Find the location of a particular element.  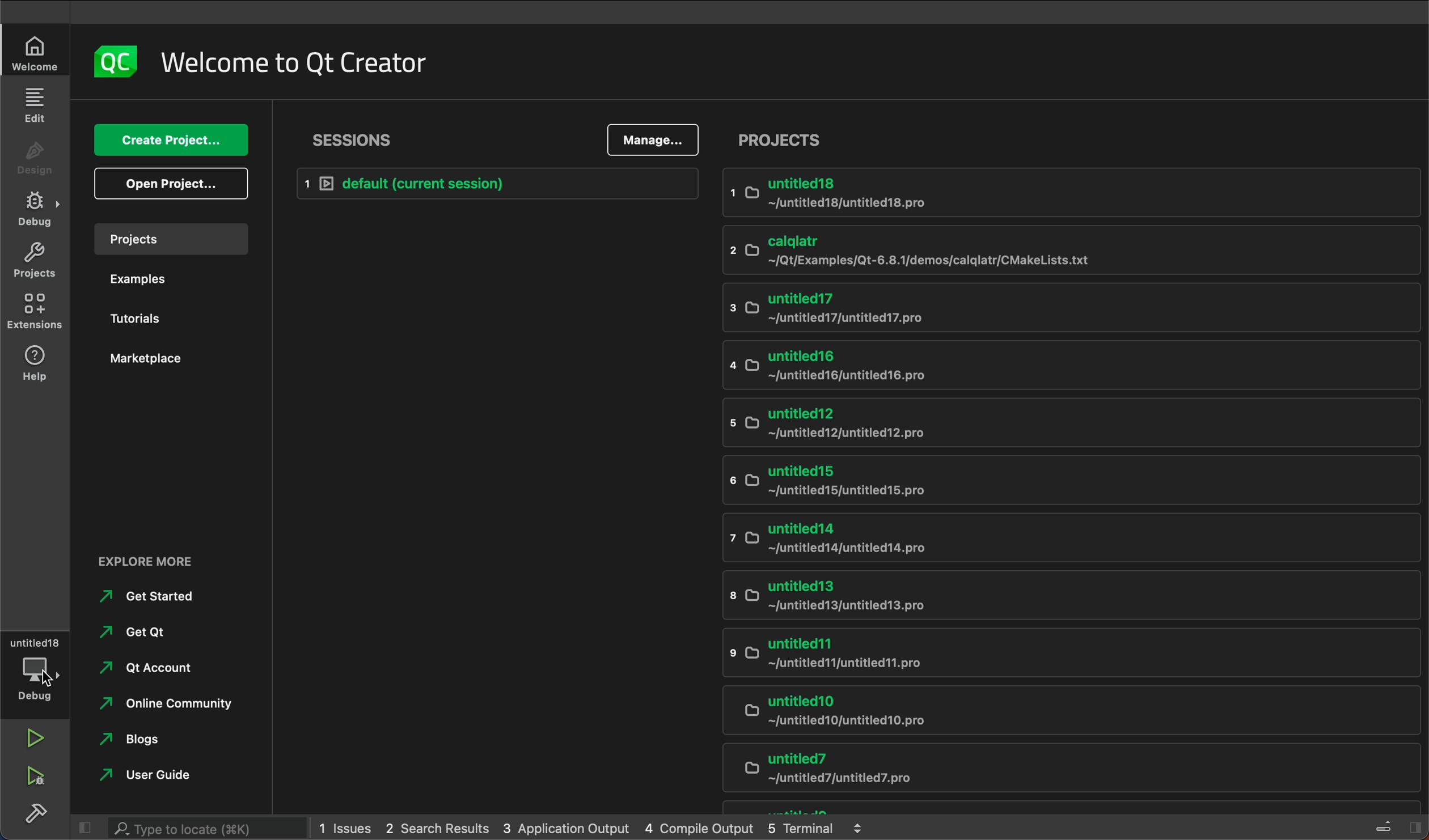

untitled7 is located at coordinates (1053, 771).